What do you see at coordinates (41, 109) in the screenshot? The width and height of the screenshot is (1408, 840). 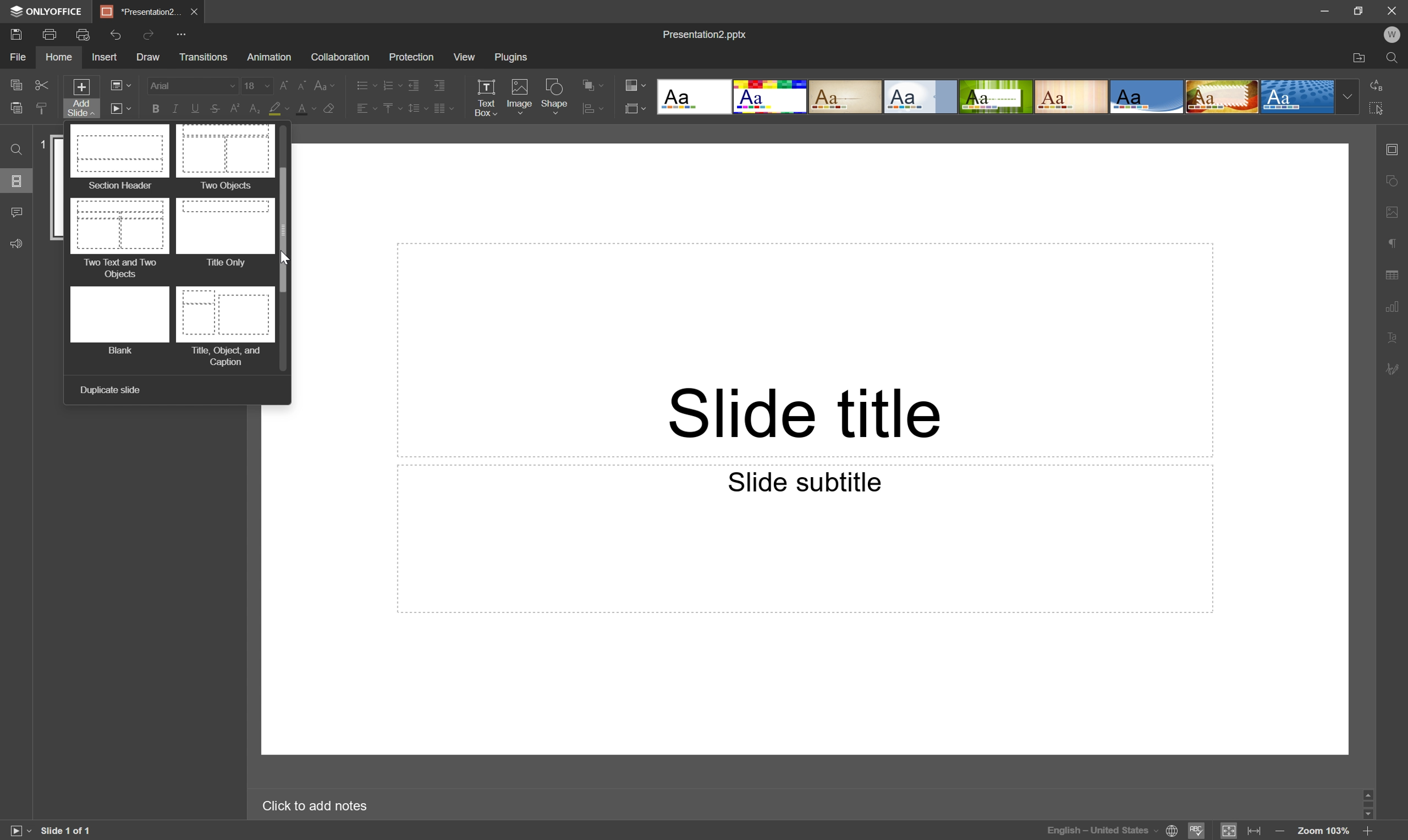 I see `Paste style` at bounding box center [41, 109].